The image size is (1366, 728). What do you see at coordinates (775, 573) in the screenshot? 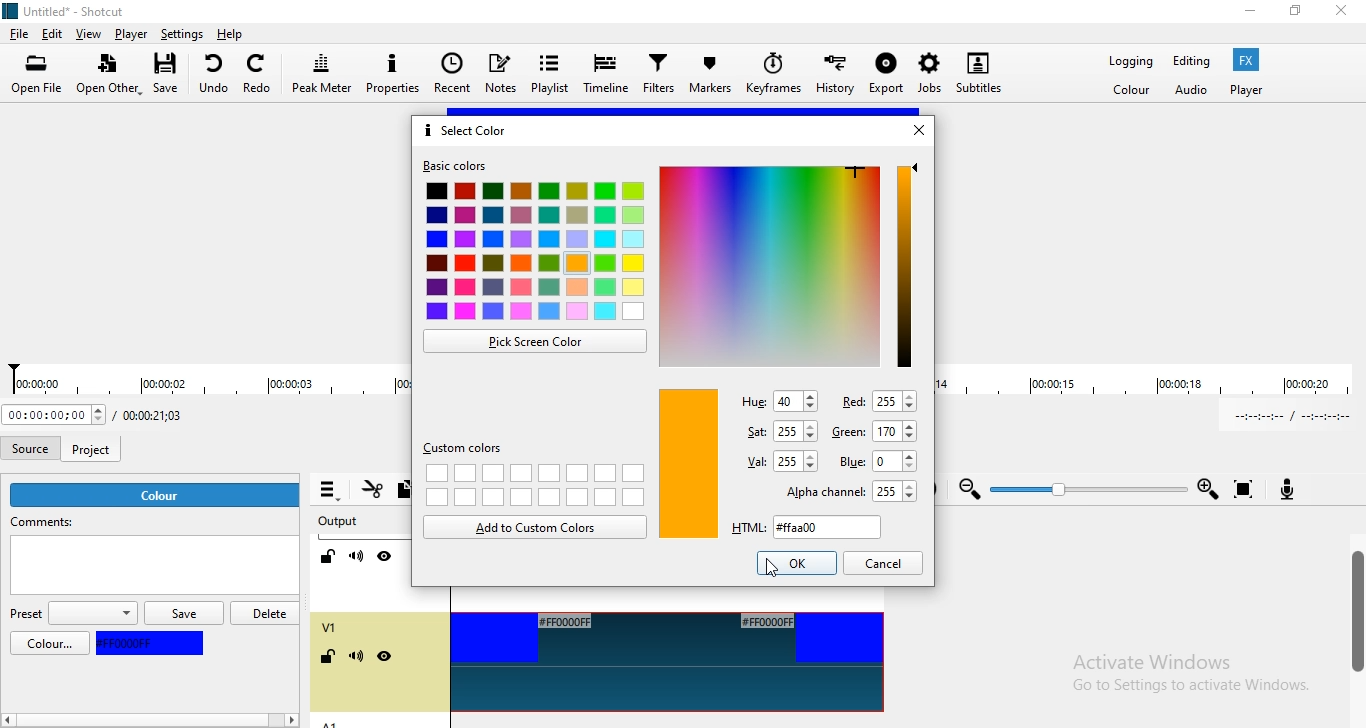
I see `cursor` at bounding box center [775, 573].